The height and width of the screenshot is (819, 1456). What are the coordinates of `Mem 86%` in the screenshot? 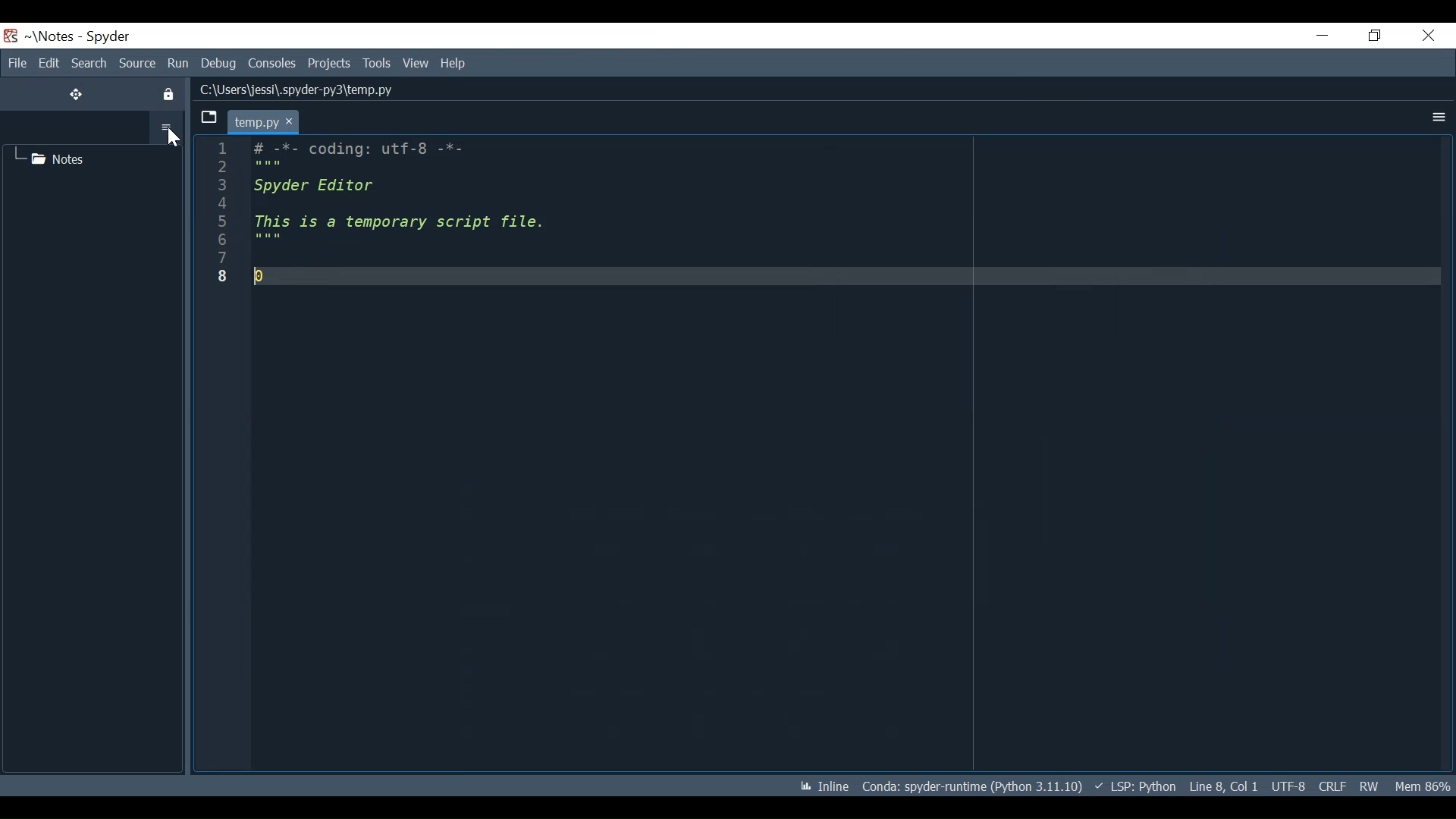 It's located at (1423, 787).